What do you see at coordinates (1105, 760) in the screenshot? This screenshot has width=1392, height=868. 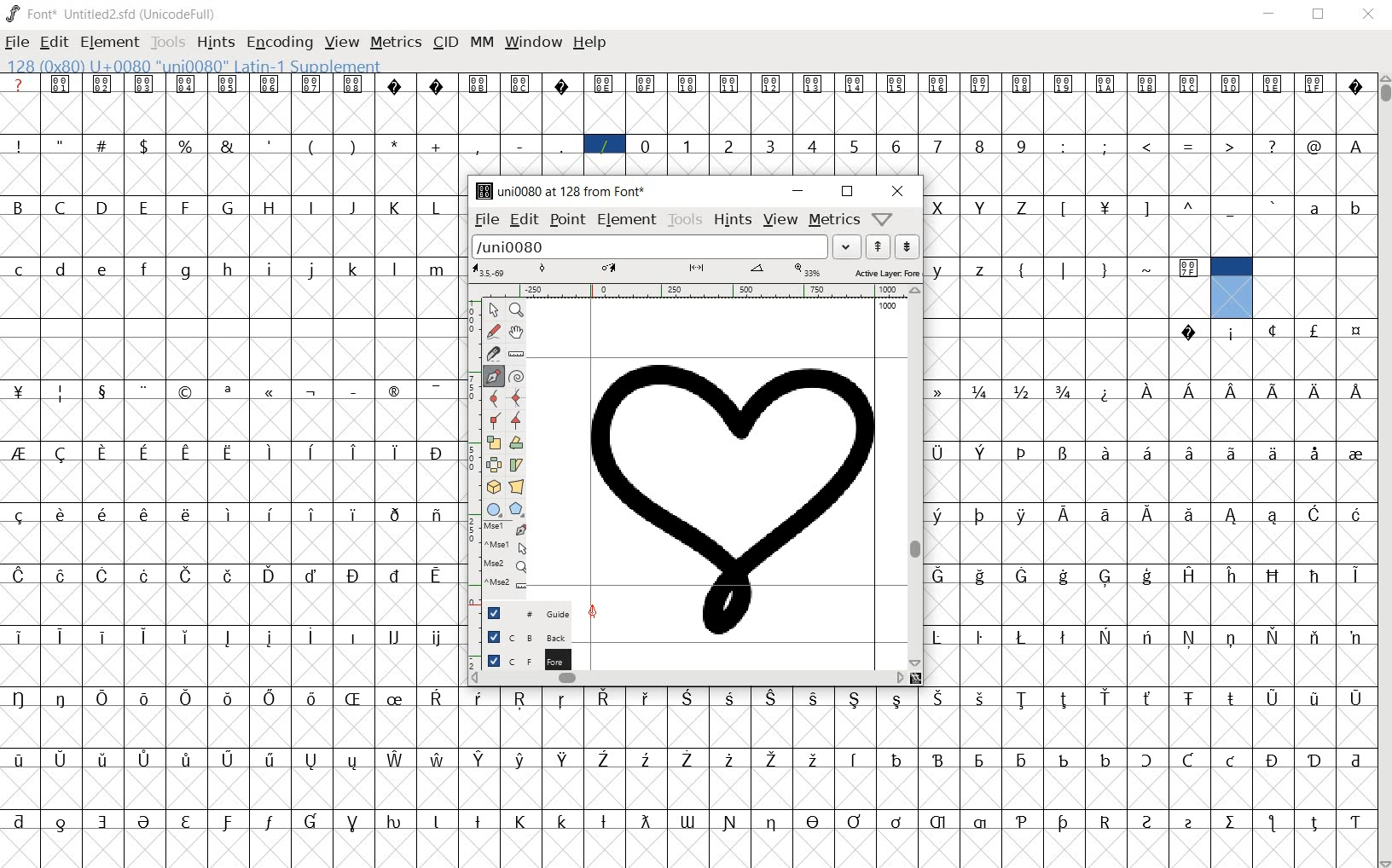 I see `glyph` at bounding box center [1105, 760].